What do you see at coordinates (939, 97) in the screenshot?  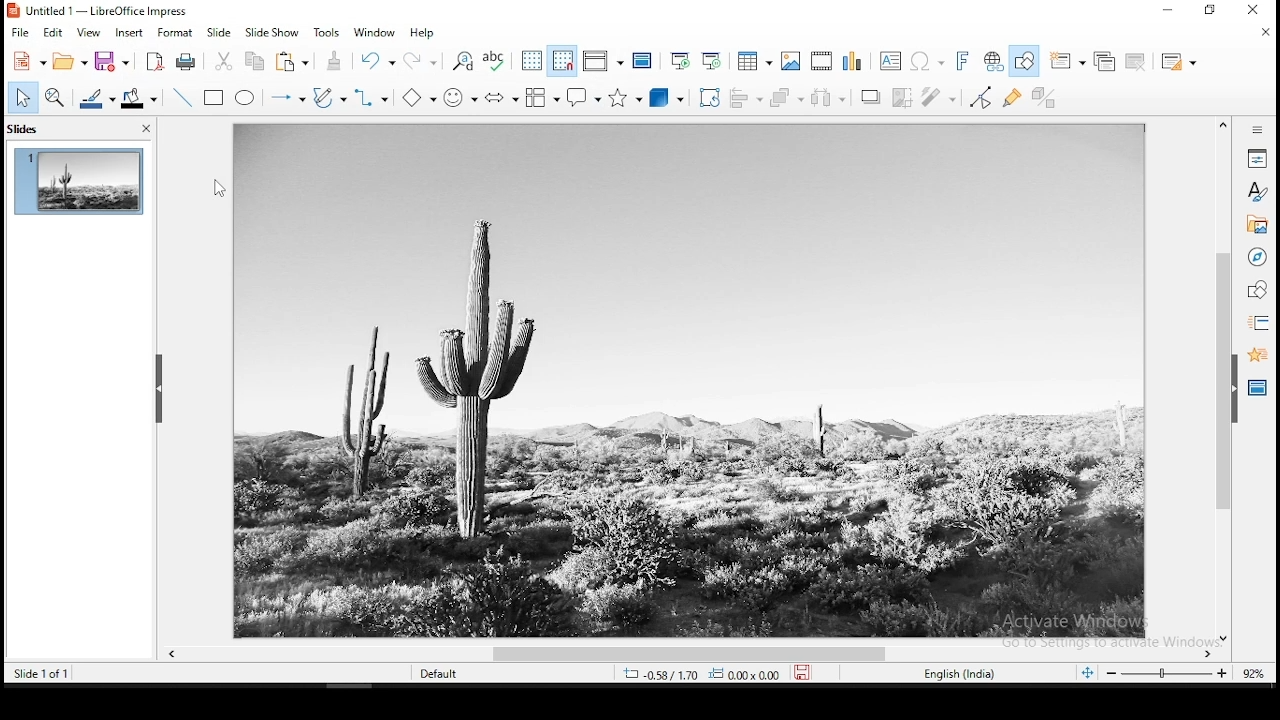 I see `filter` at bounding box center [939, 97].